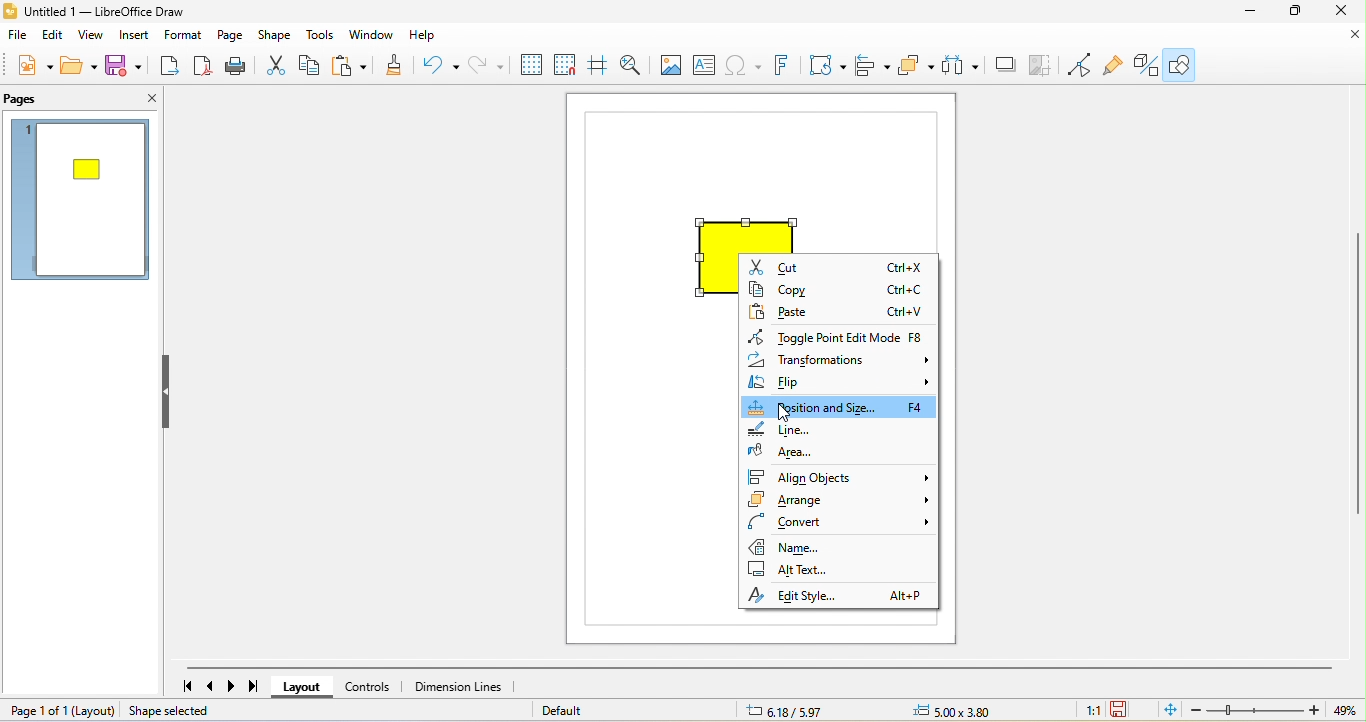 The height and width of the screenshot is (722, 1366). I want to click on export, so click(167, 68).